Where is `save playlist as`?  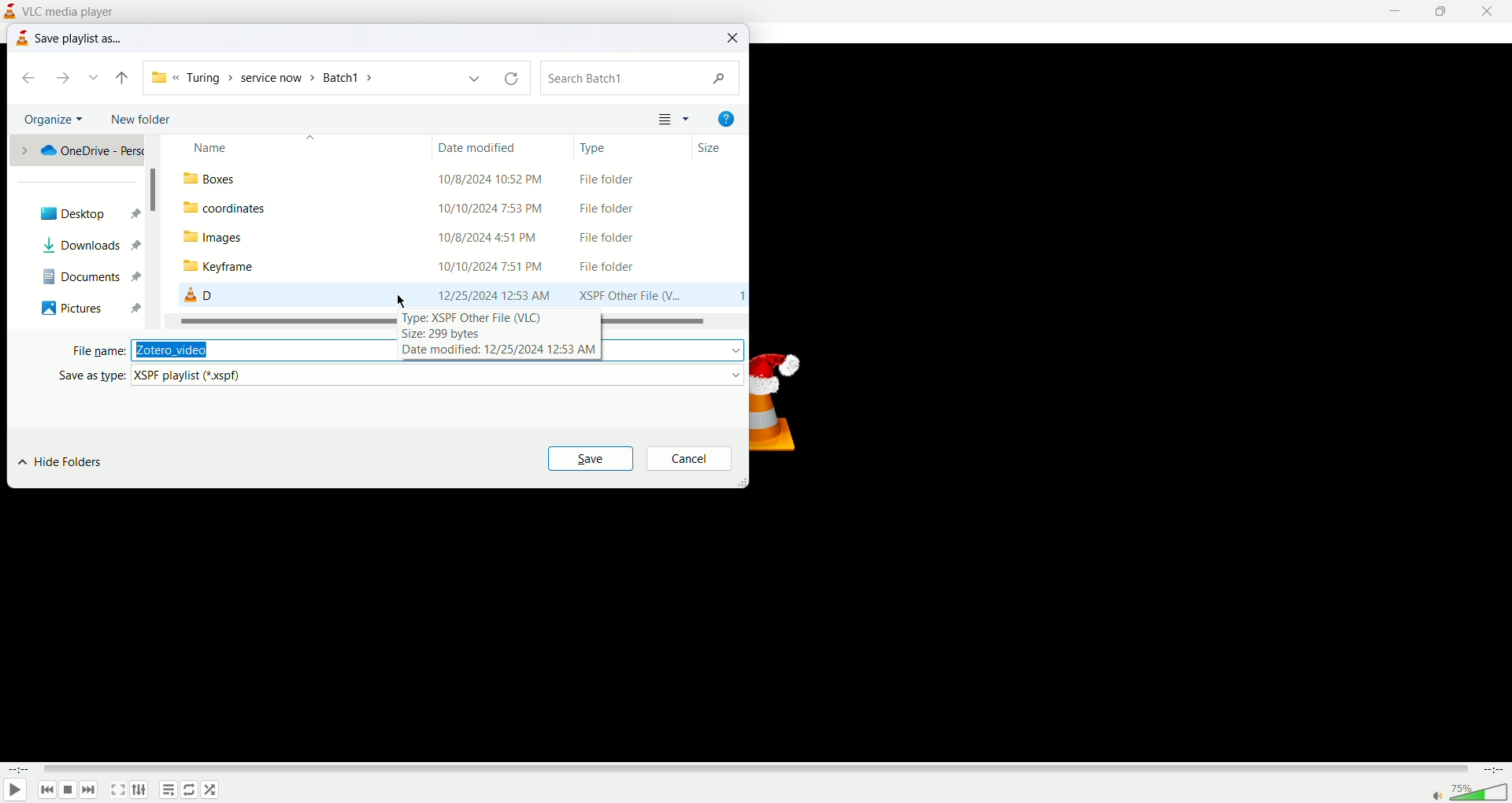
save playlist as is located at coordinates (81, 37).